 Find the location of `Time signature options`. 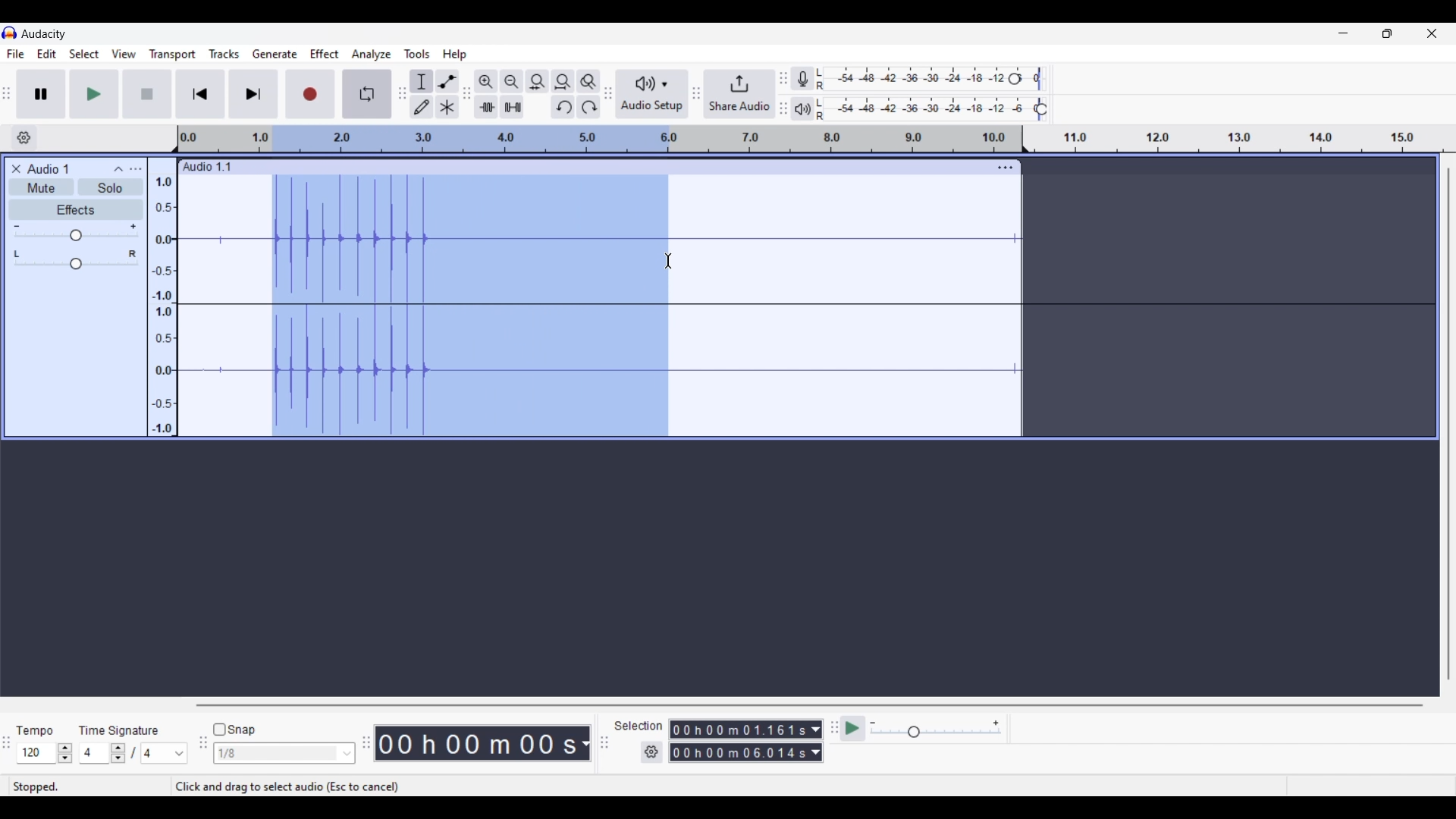

Time signature options is located at coordinates (165, 754).